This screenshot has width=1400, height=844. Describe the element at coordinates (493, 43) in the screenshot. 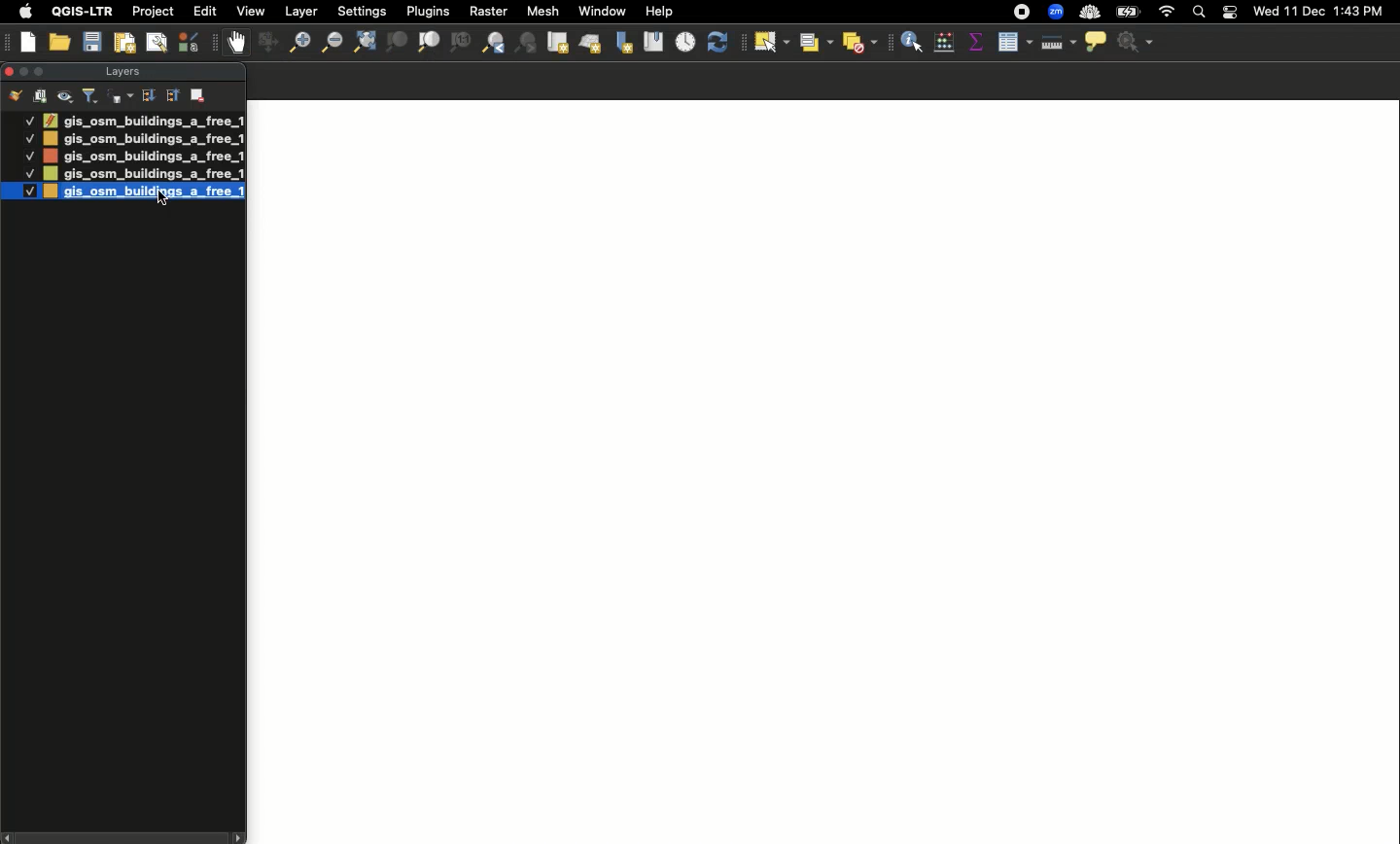

I see `Zoom last` at that location.